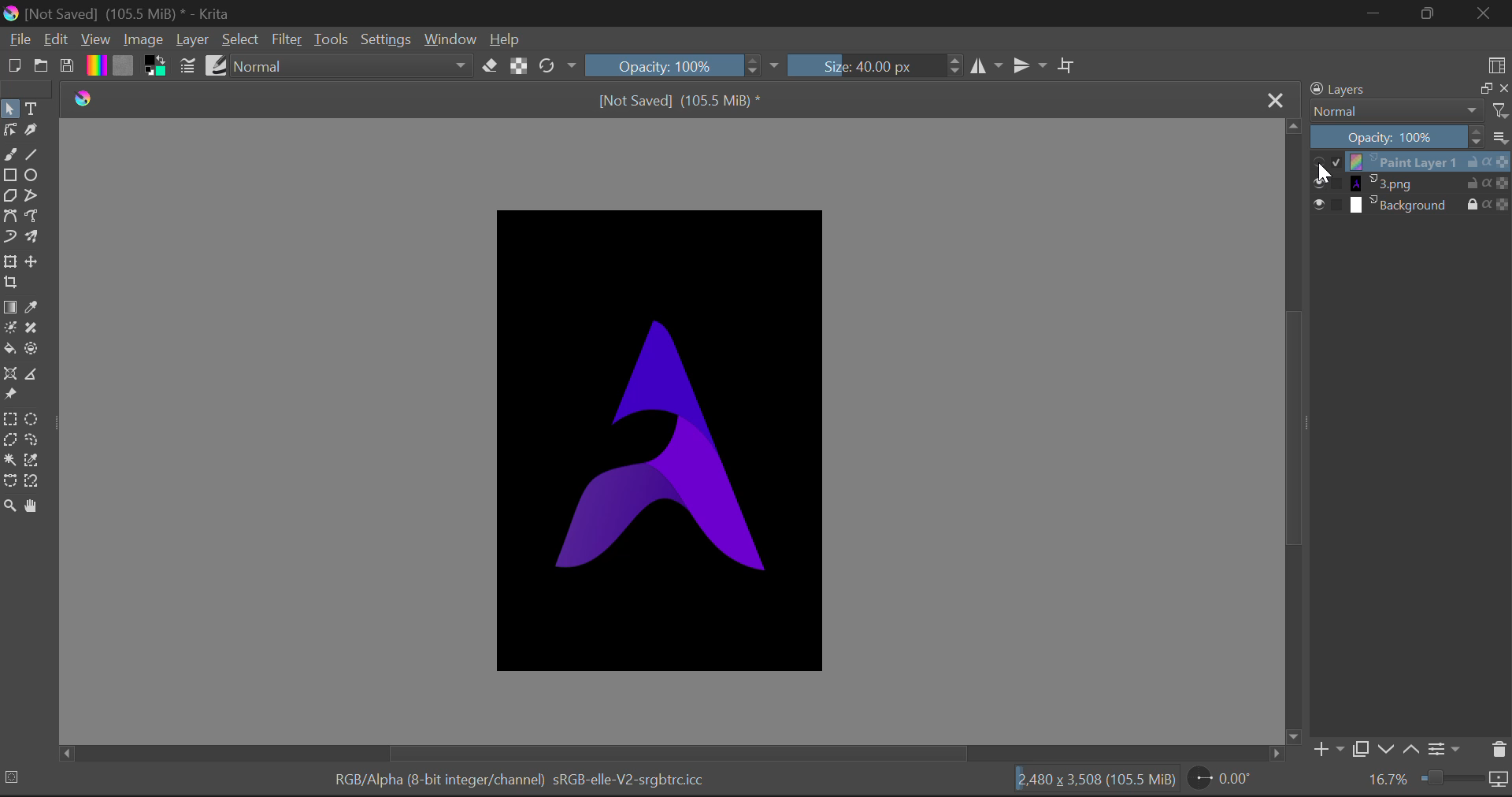 This screenshot has width=1512, height=797. I want to click on Copy Layer, so click(1481, 89).